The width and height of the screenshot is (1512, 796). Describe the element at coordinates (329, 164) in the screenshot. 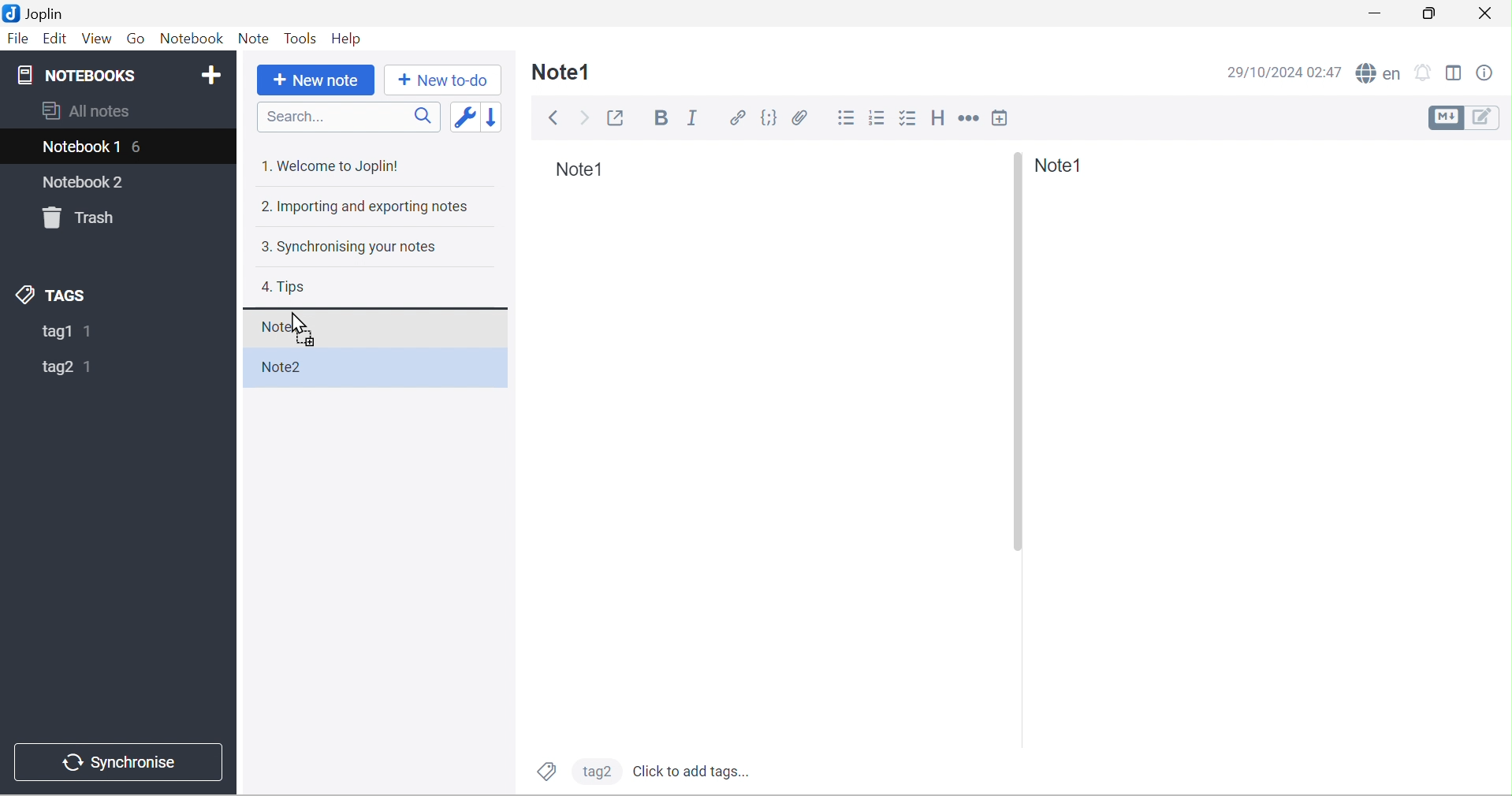

I see `1. Welcome to Joplin!` at that location.